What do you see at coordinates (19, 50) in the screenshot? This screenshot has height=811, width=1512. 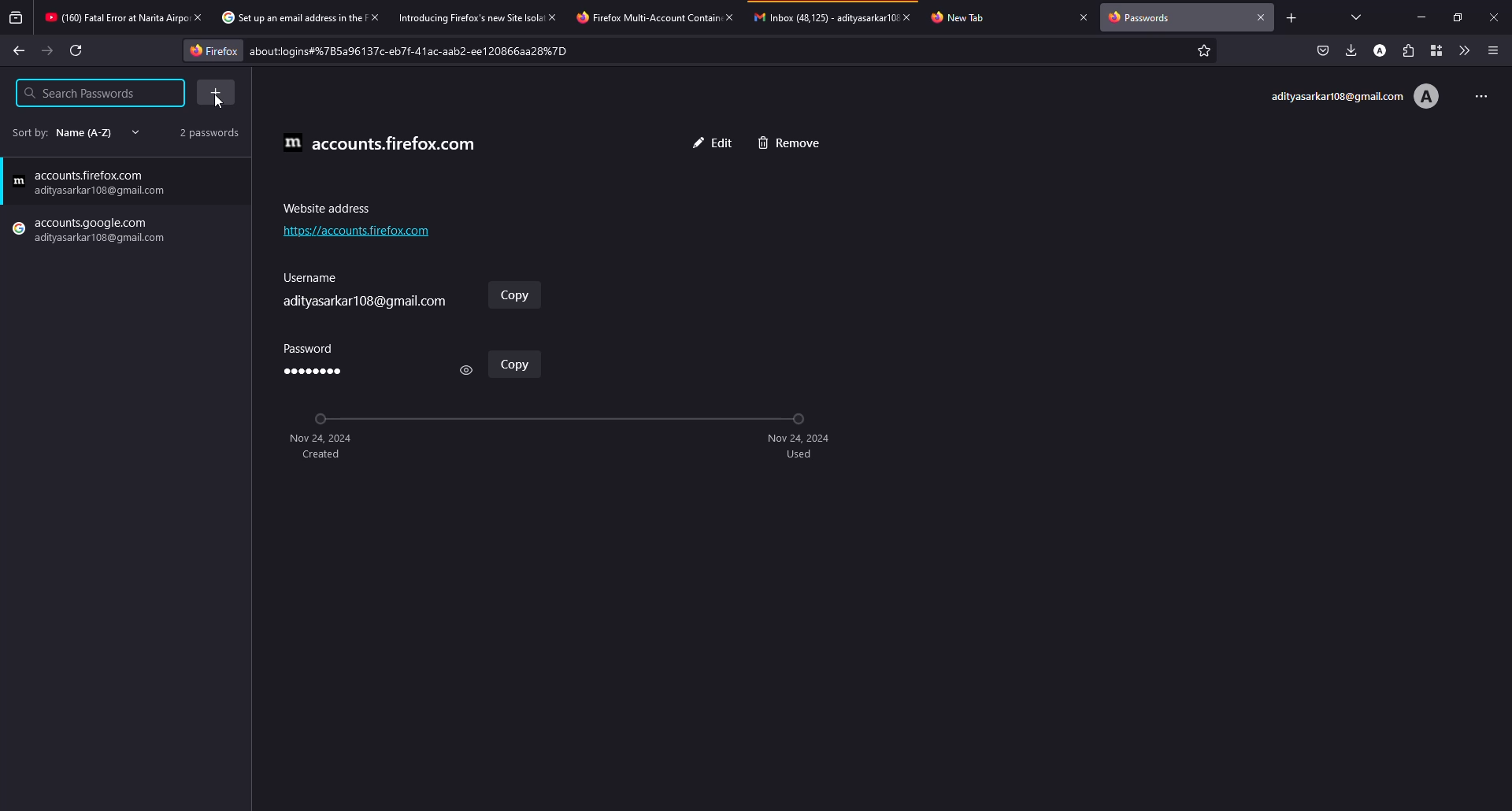 I see `back` at bounding box center [19, 50].